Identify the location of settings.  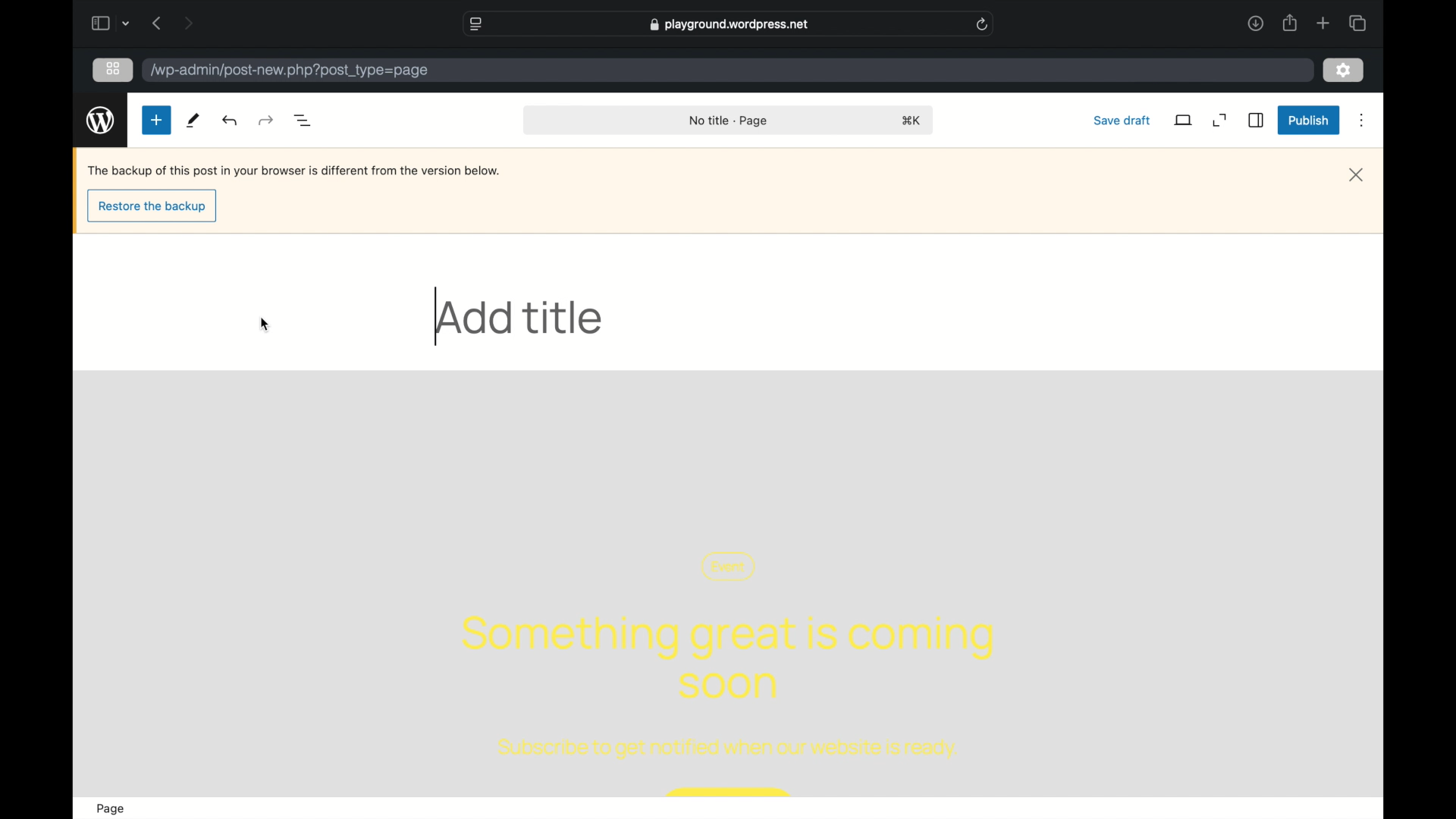
(1343, 70).